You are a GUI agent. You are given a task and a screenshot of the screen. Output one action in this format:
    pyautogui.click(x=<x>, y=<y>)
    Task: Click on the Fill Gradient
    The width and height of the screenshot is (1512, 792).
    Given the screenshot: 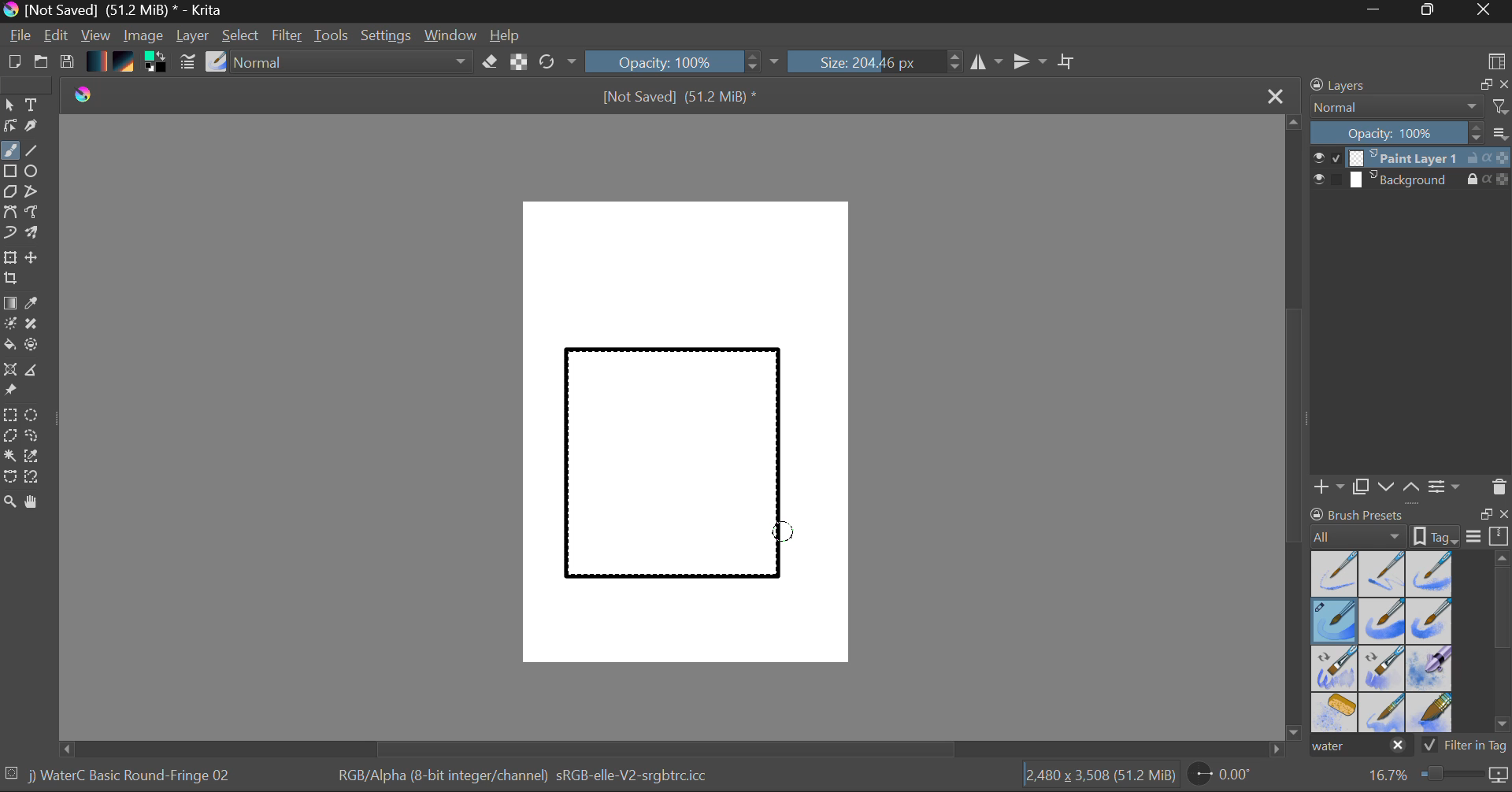 What is the action you would take?
    pyautogui.click(x=10, y=302)
    